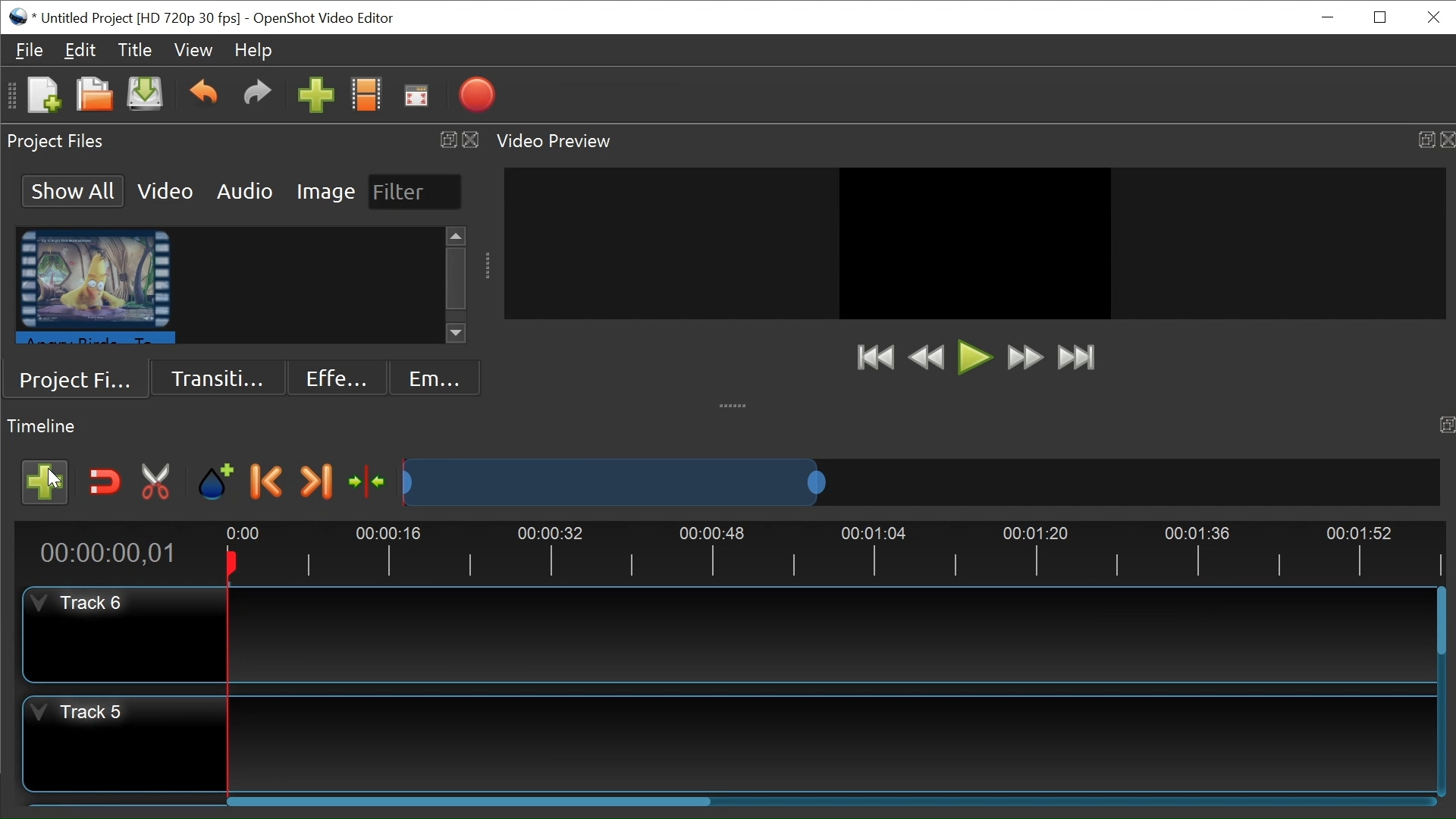 This screenshot has width=1456, height=819. Describe the element at coordinates (79, 49) in the screenshot. I see `Edit` at that location.